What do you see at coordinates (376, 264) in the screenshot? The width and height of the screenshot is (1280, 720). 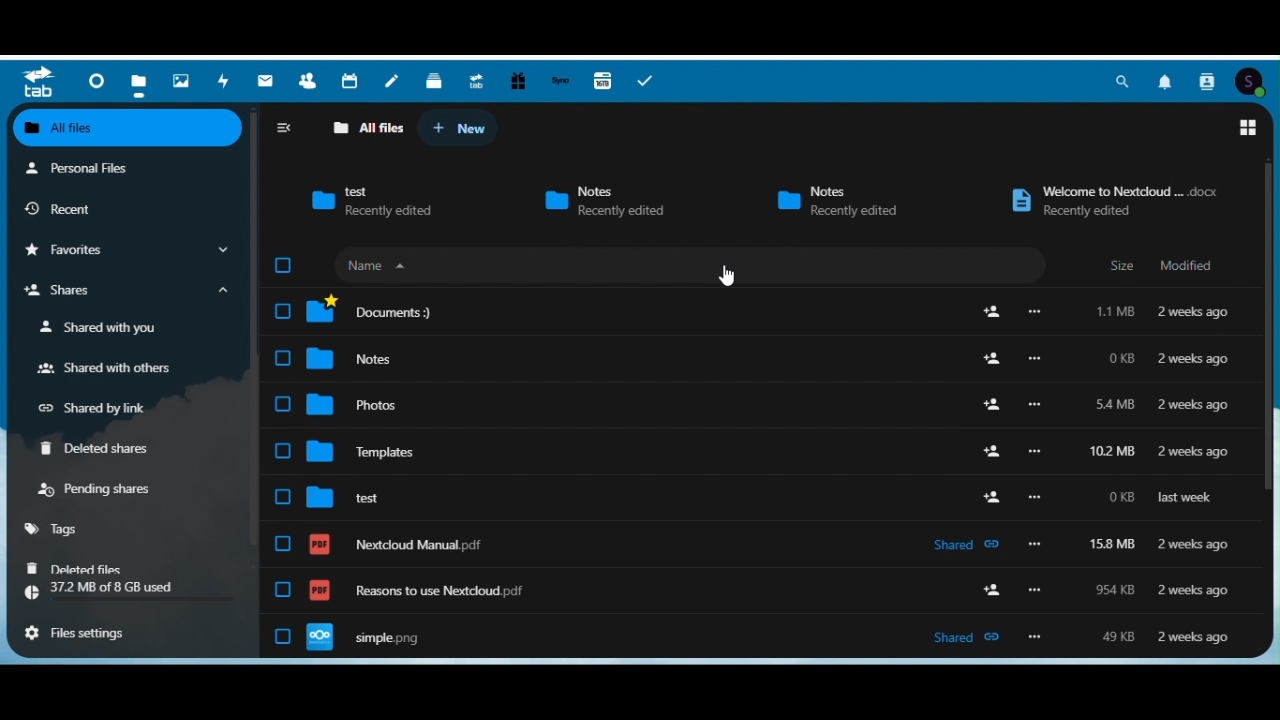 I see `Arrange by name ` at bounding box center [376, 264].